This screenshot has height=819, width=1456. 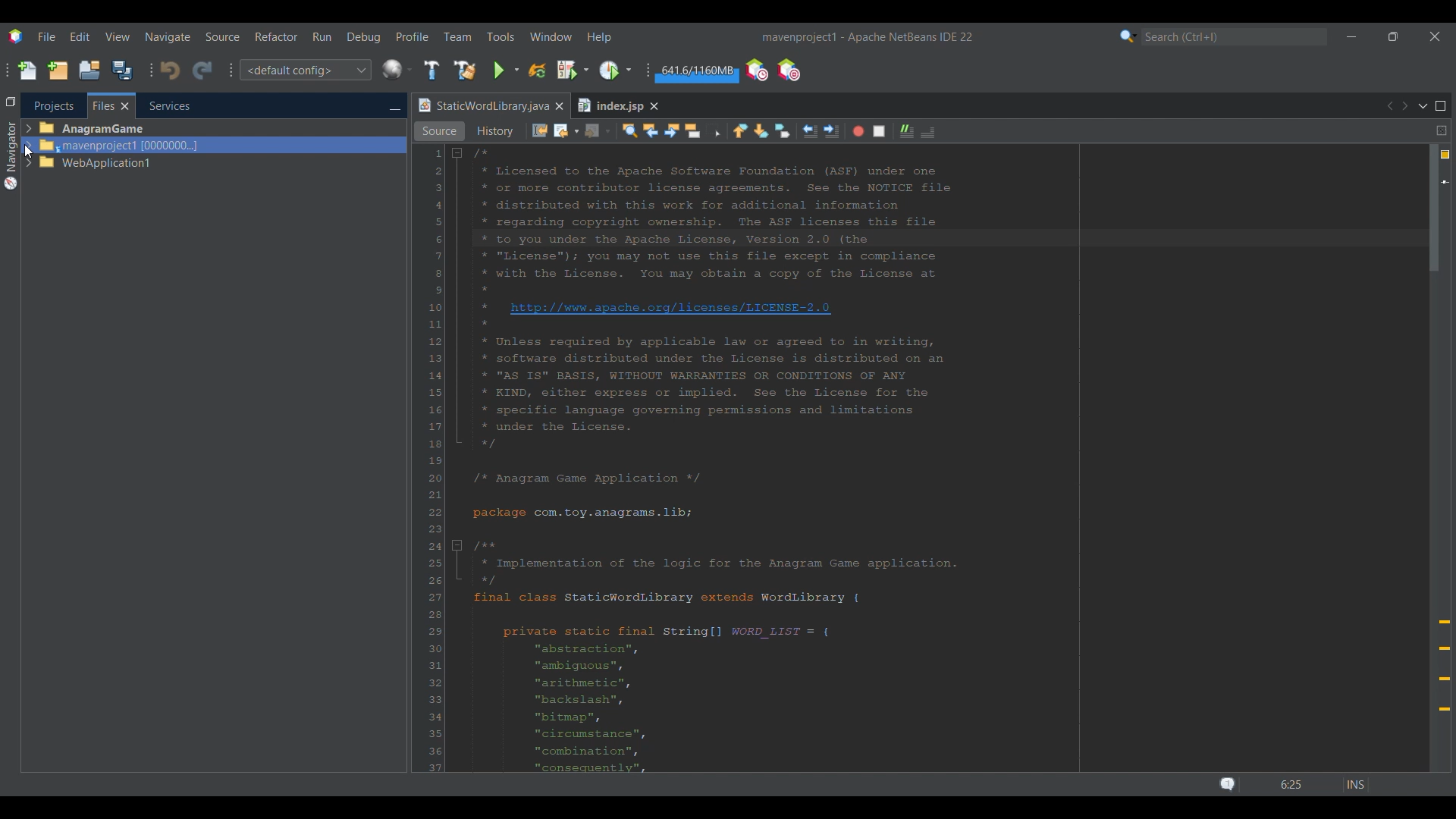 What do you see at coordinates (928, 132) in the screenshot?
I see `Uncomment` at bounding box center [928, 132].